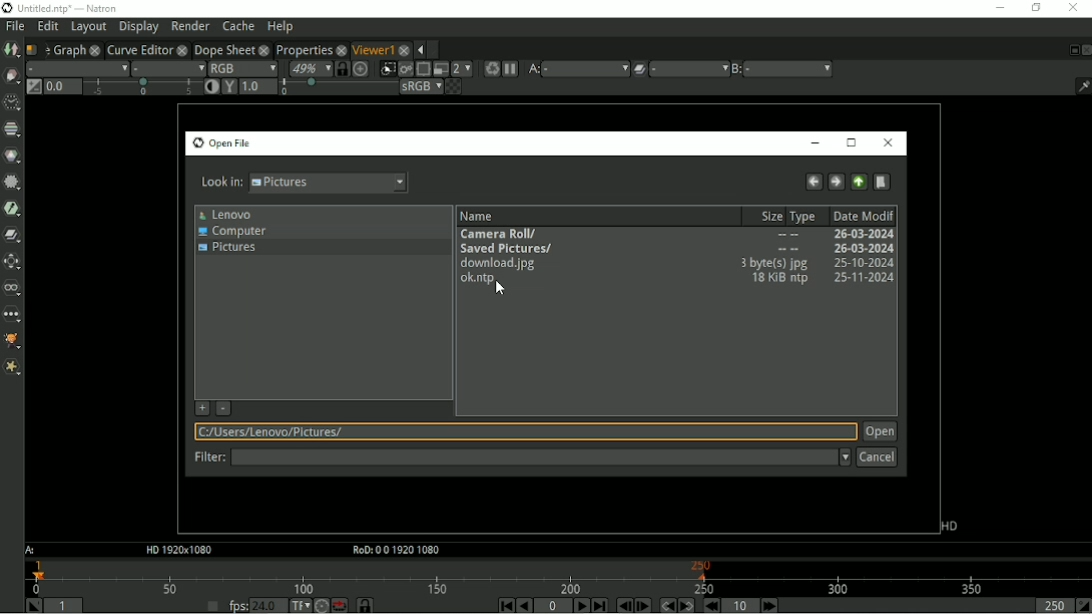  Describe the element at coordinates (623, 605) in the screenshot. I see `Previous frame` at that location.